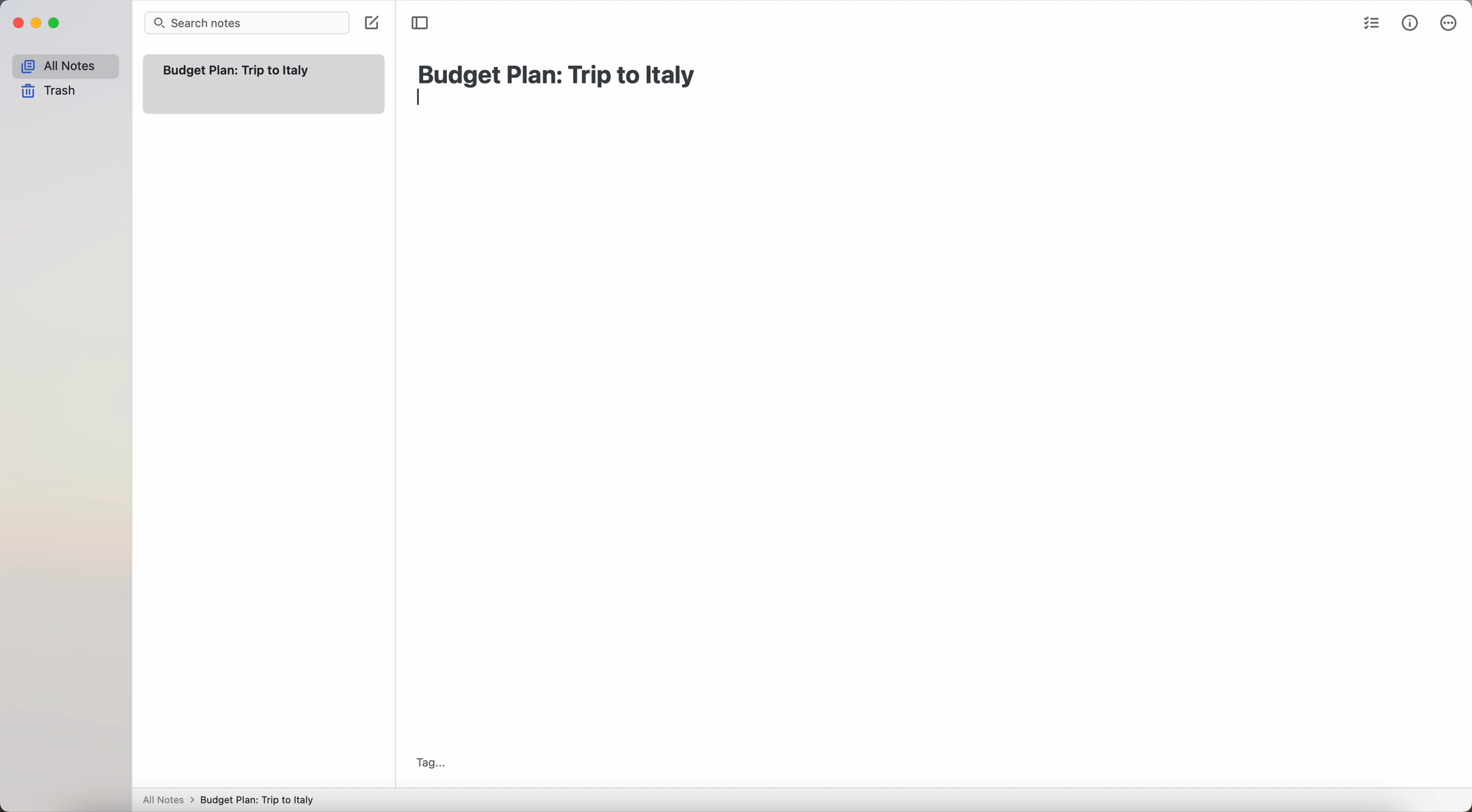  Describe the element at coordinates (431, 763) in the screenshot. I see `tag` at that location.